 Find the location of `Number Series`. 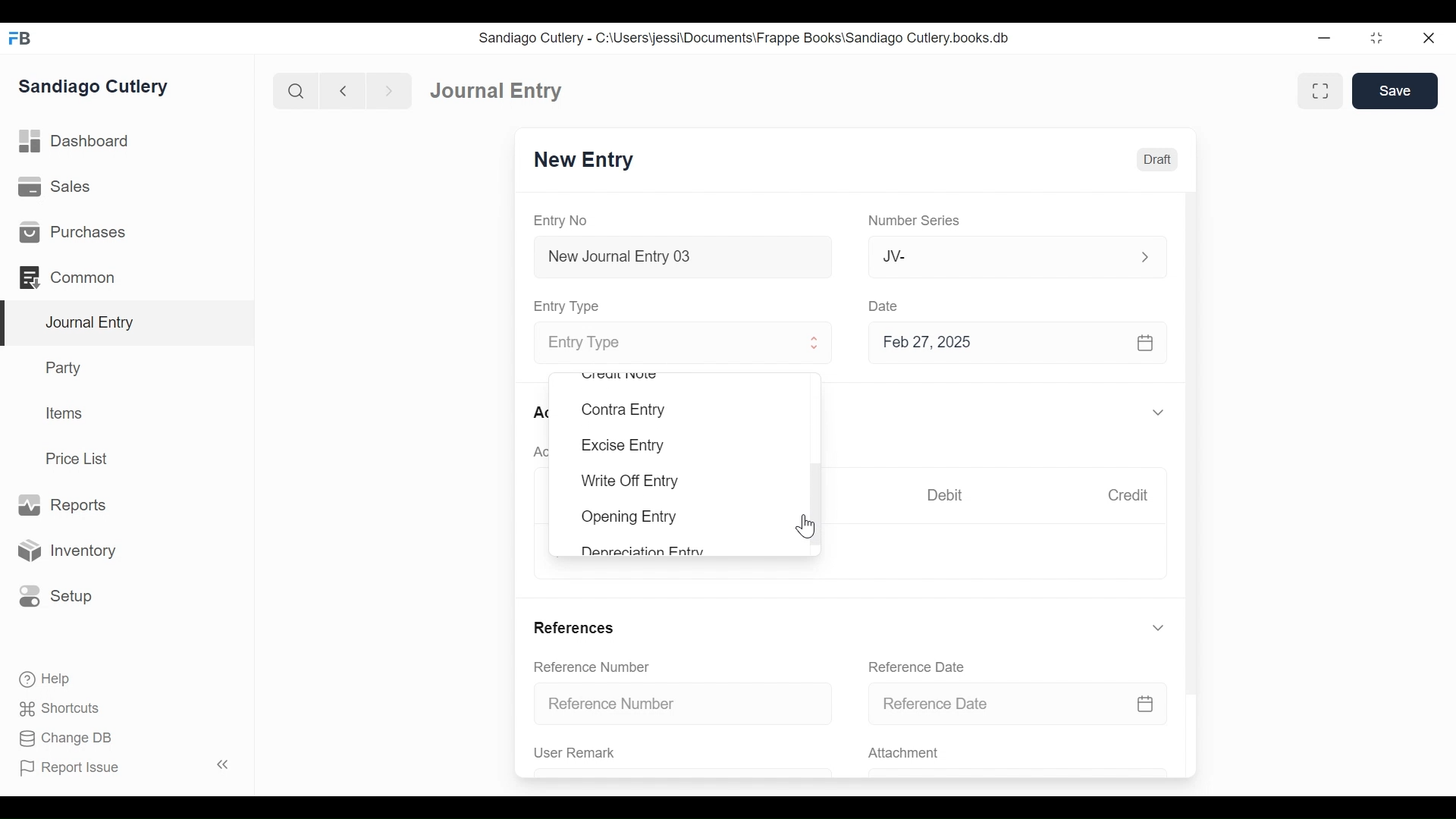

Number Series is located at coordinates (912, 221).